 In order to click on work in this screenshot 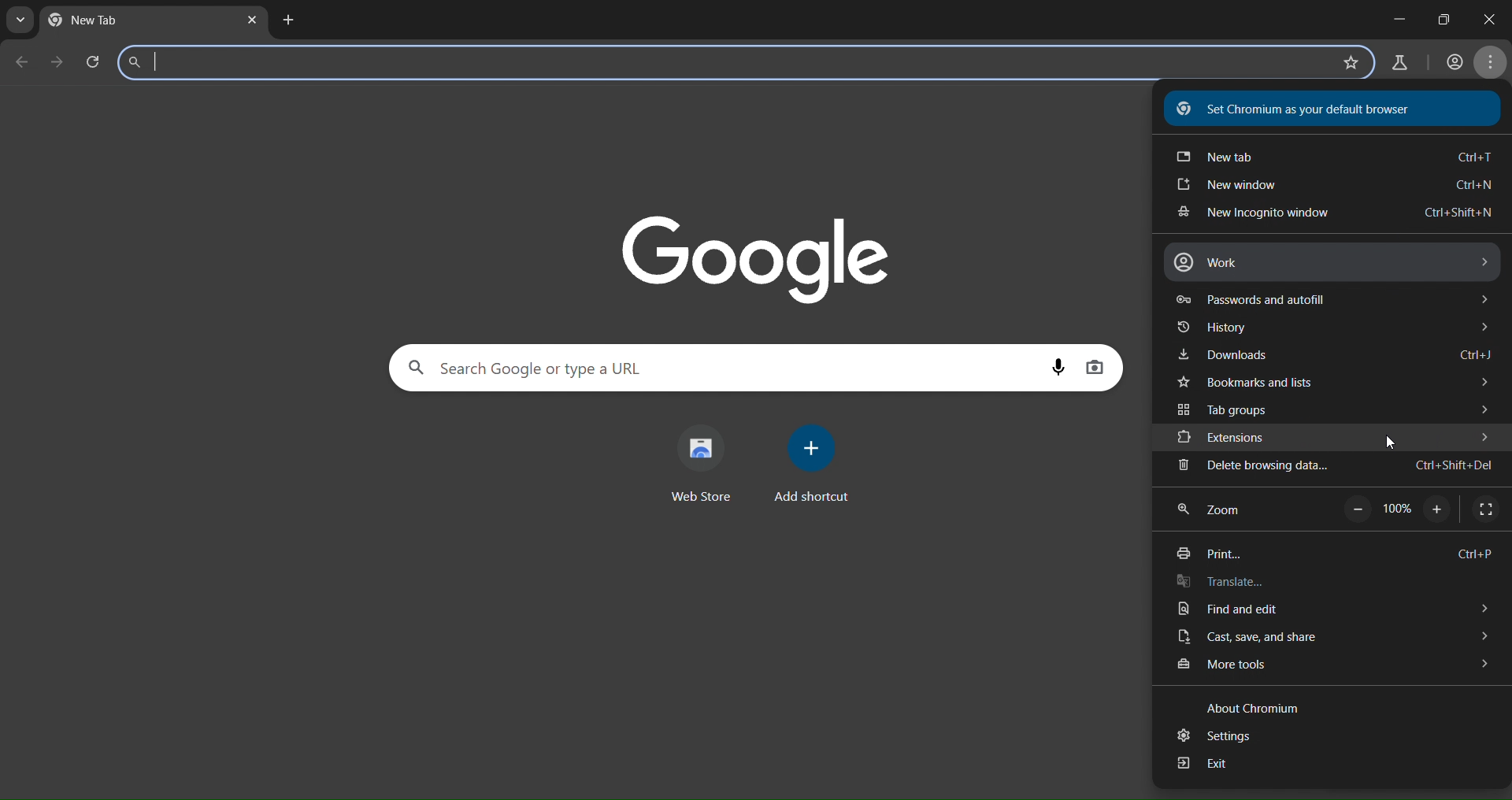, I will do `click(1333, 264)`.